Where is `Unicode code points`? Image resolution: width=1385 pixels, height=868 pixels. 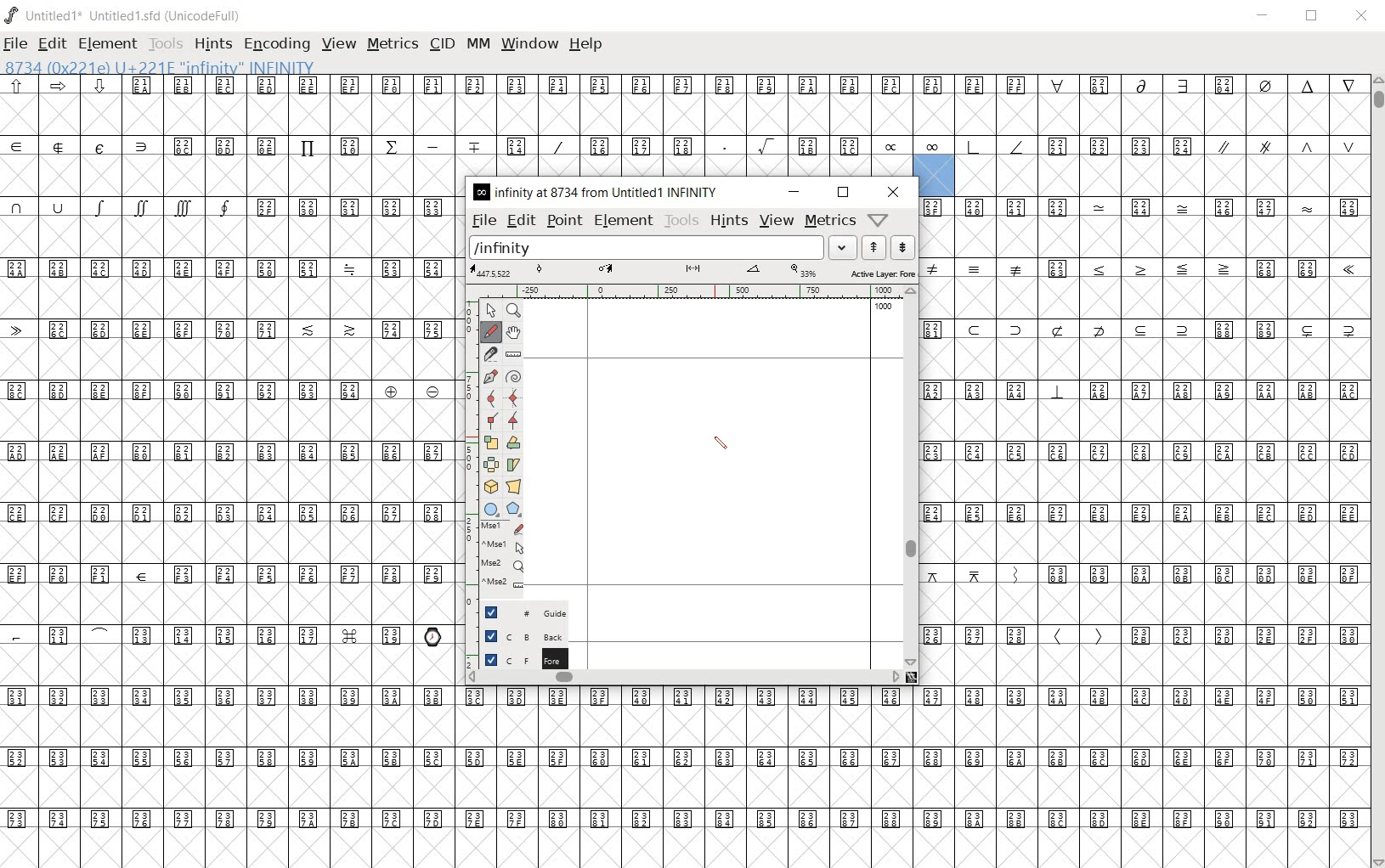 Unicode code points is located at coordinates (940, 329).